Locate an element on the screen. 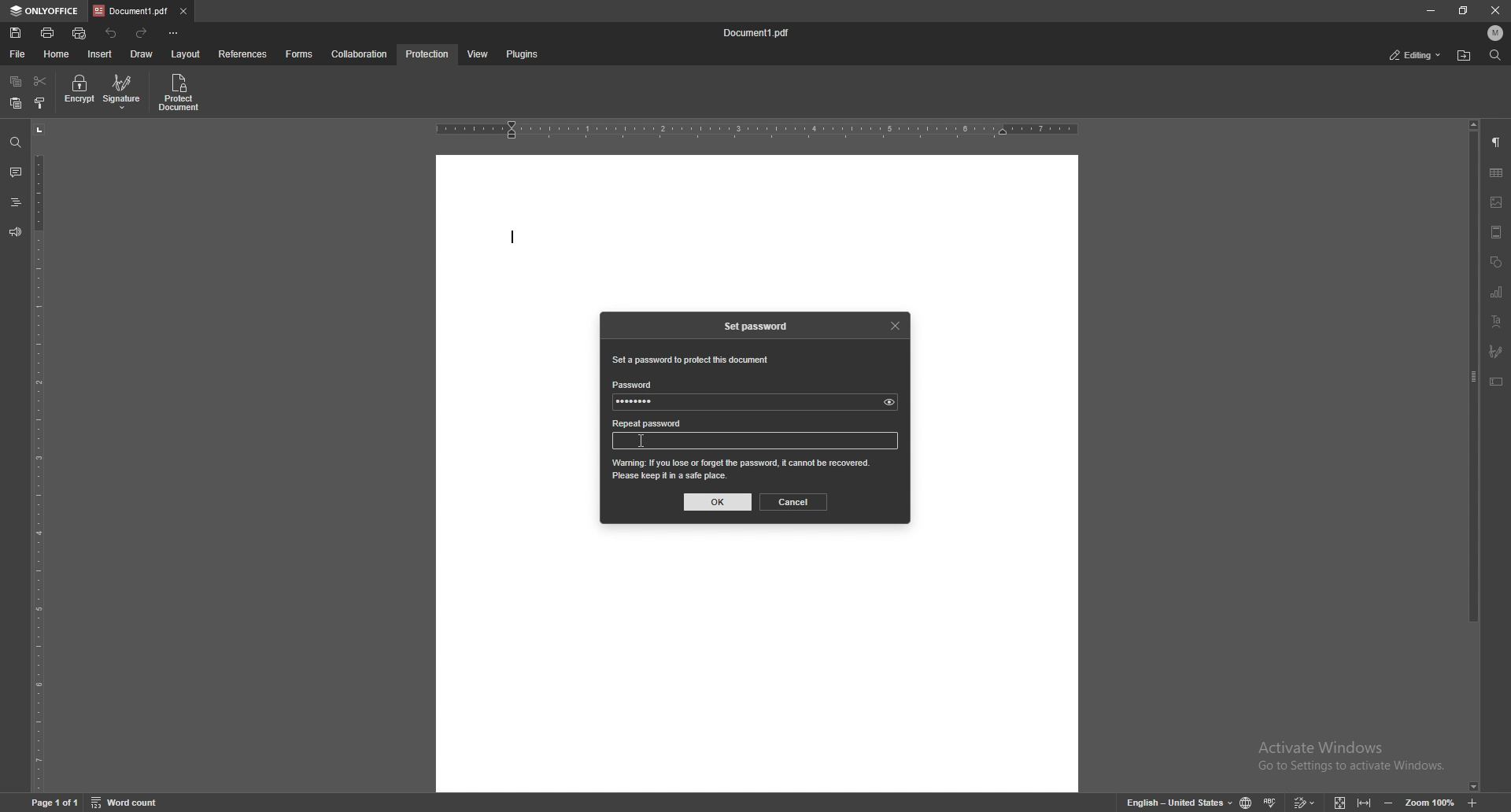 The image size is (1511, 812). comment is located at coordinates (16, 172).